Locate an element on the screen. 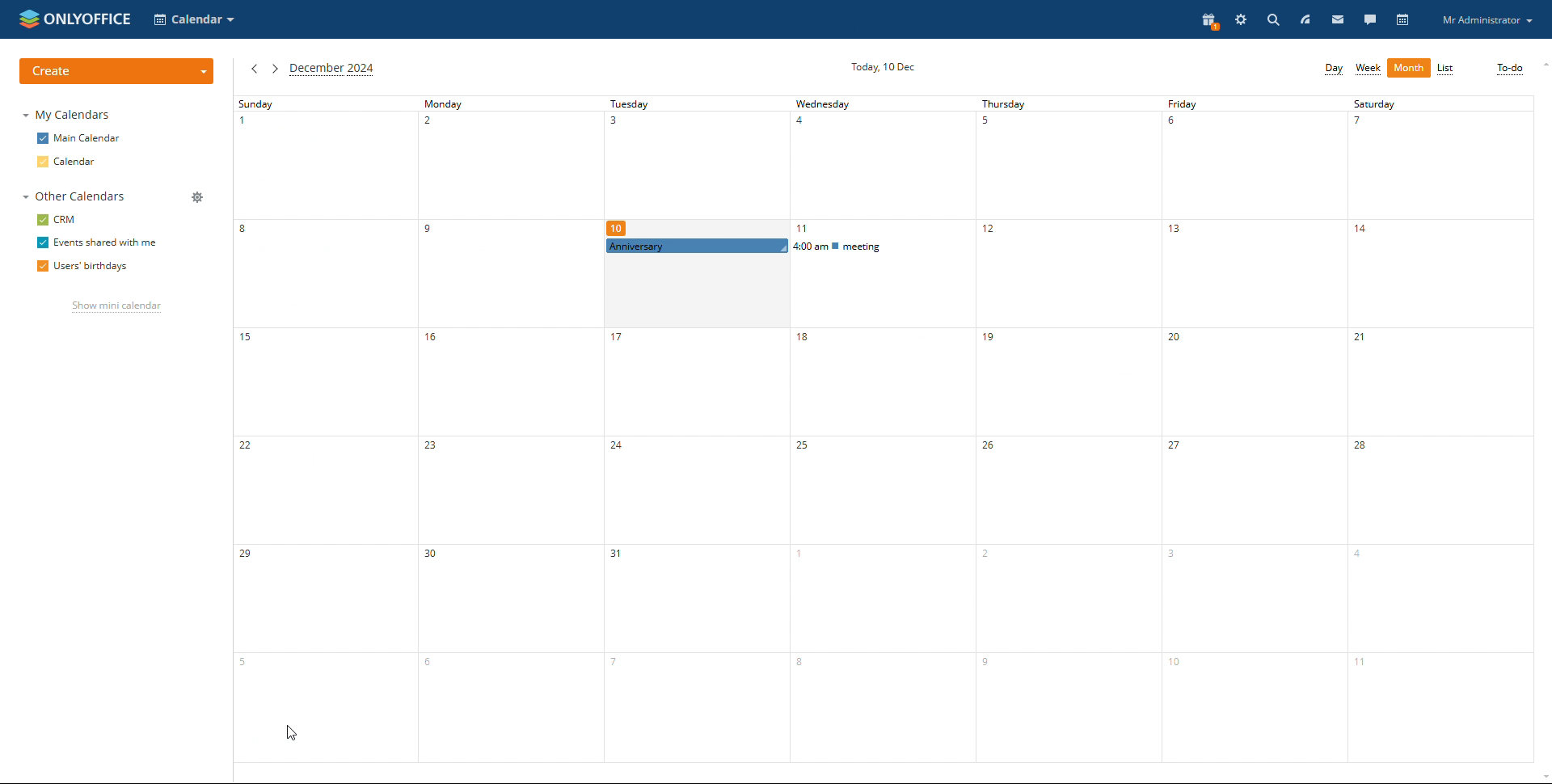 This screenshot has height=784, width=1552. mail is located at coordinates (1338, 19).